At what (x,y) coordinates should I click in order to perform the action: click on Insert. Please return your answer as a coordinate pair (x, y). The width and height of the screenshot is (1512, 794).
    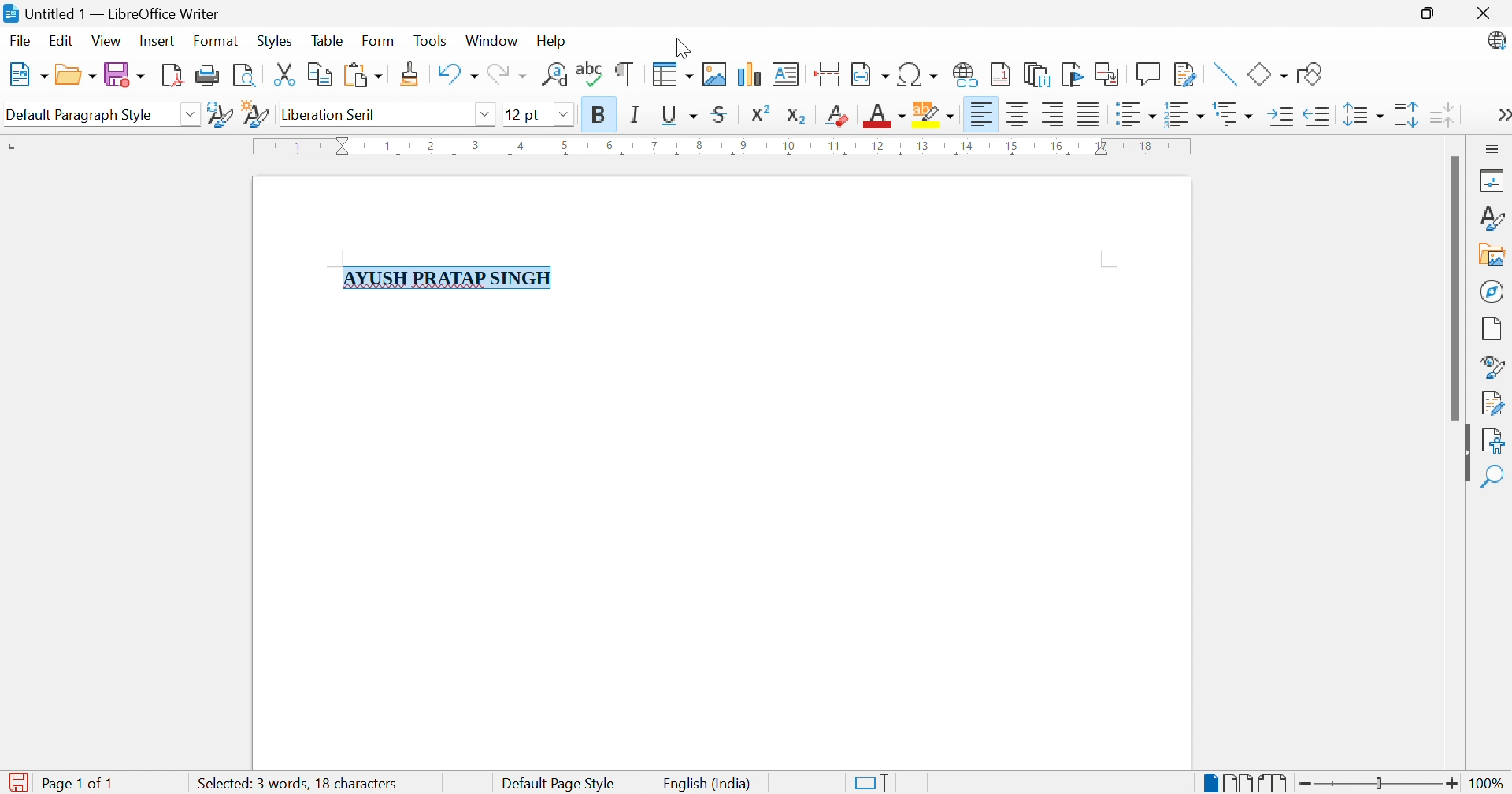
    Looking at the image, I should click on (159, 39).